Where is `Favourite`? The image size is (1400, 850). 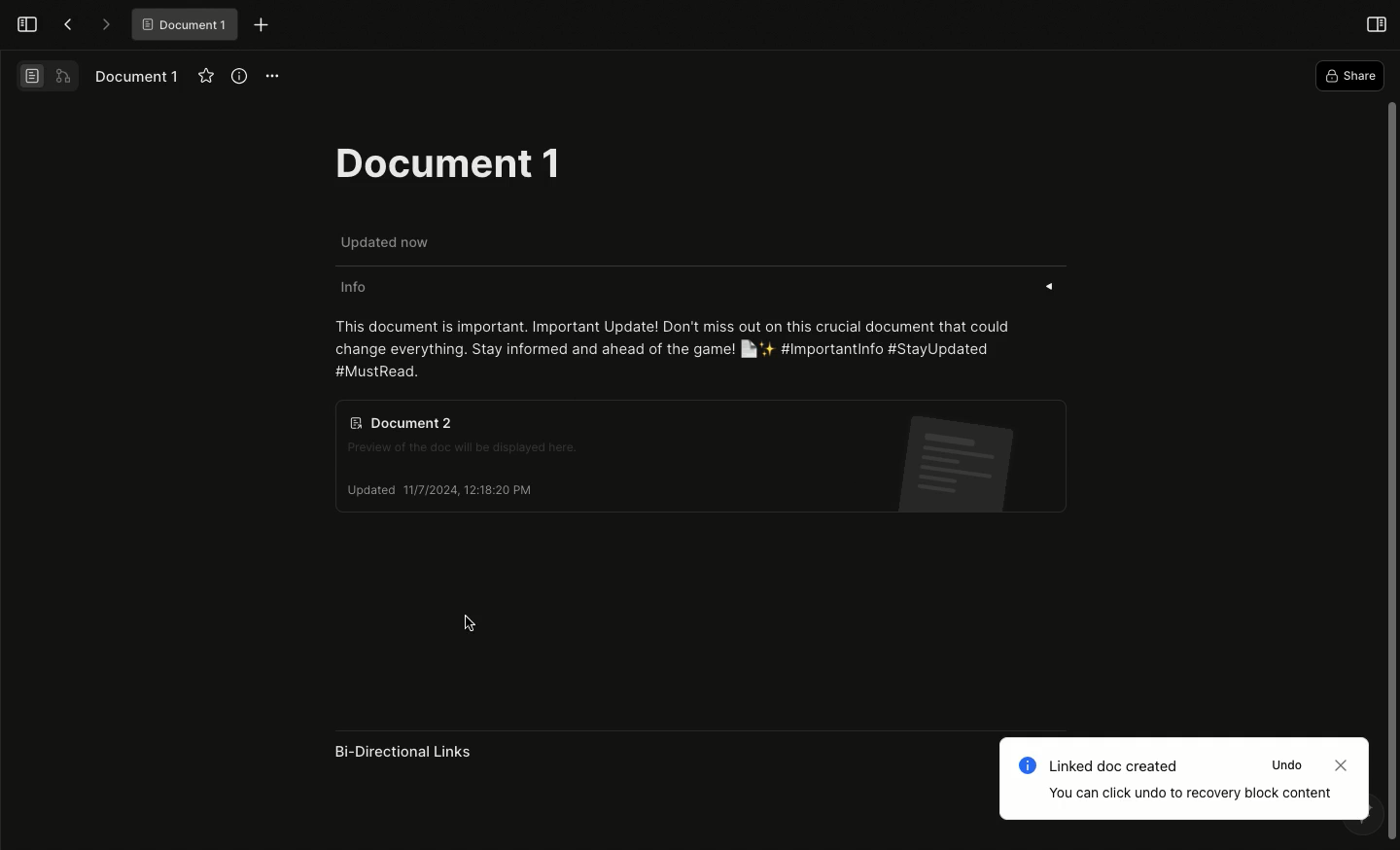 Favourite is located at coordinates (205, 76).